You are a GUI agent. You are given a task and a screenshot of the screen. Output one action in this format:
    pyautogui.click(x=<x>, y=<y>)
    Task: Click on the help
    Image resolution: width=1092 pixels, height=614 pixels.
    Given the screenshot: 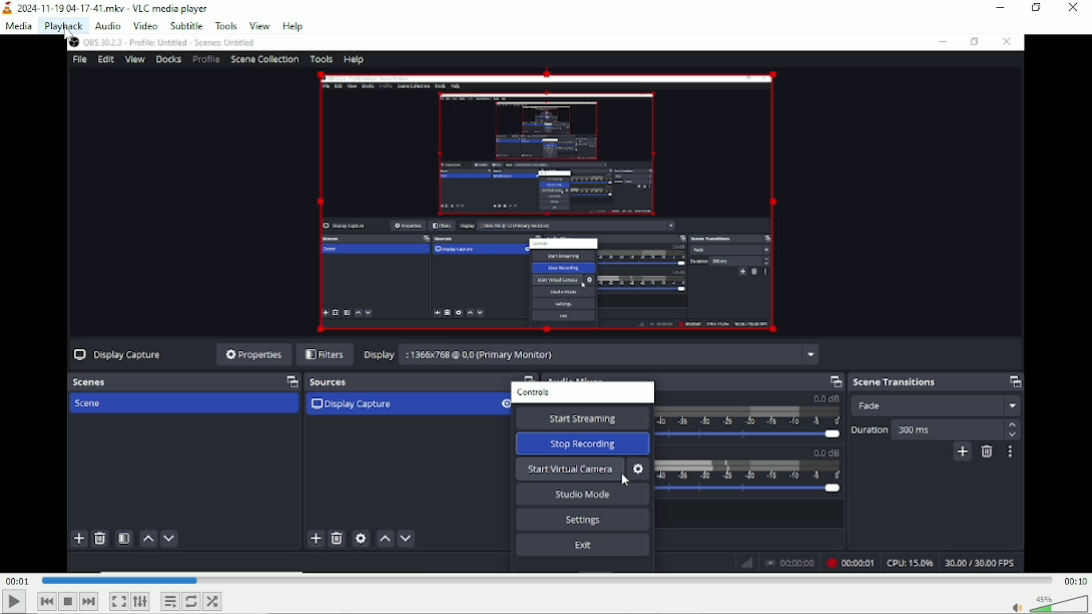 What is the action you would take?
    pyautogui.click(x=295, y=25)
    